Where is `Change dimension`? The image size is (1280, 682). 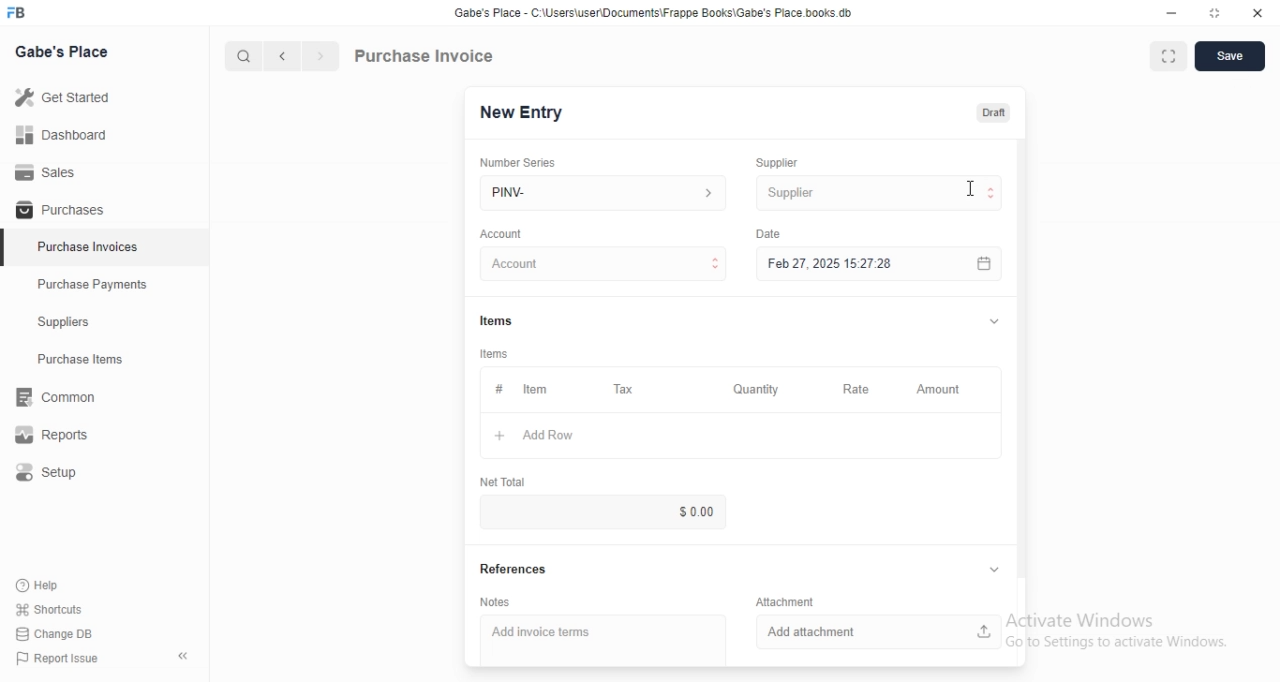
Change dimension is located at coordinates (1215, 13).